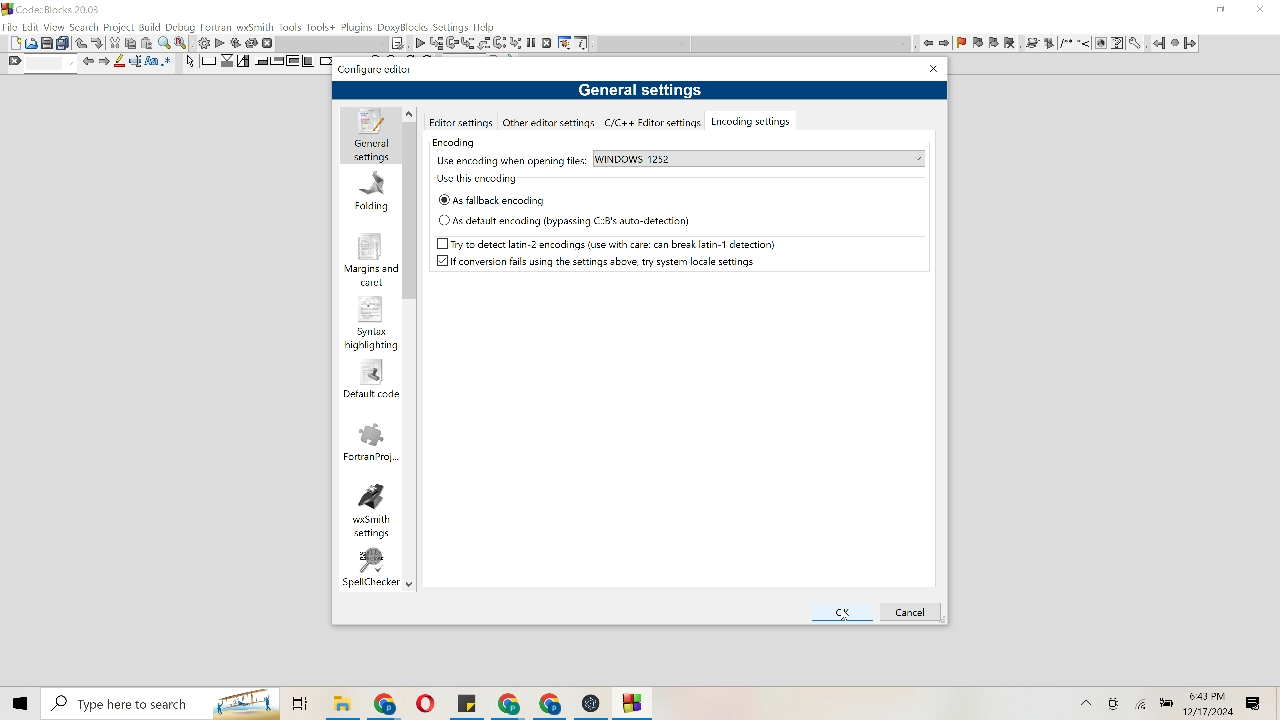 This screenshot has height=720, width=1280. Describe the element at coordinates (159, 704) in the screenshot. I see `Search bar` at that location.